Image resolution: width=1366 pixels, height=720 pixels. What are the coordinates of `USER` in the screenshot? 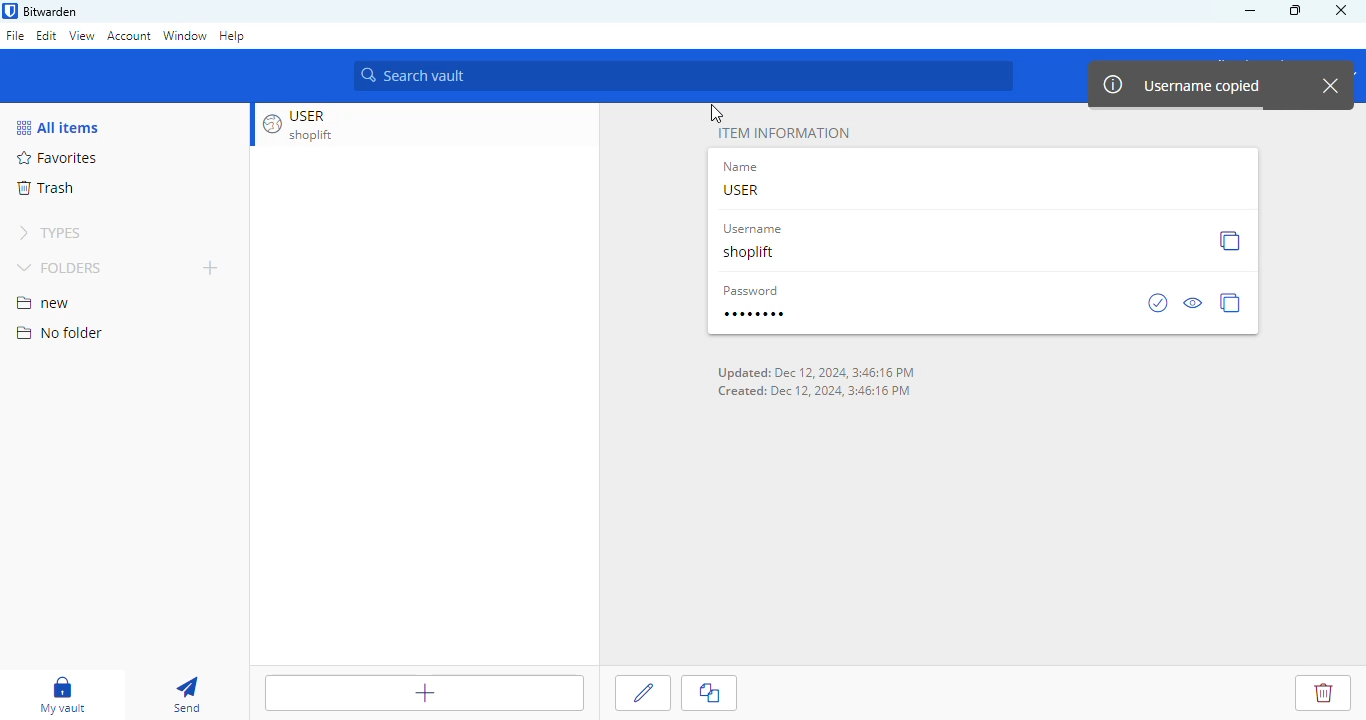 It's located at (741, 190).